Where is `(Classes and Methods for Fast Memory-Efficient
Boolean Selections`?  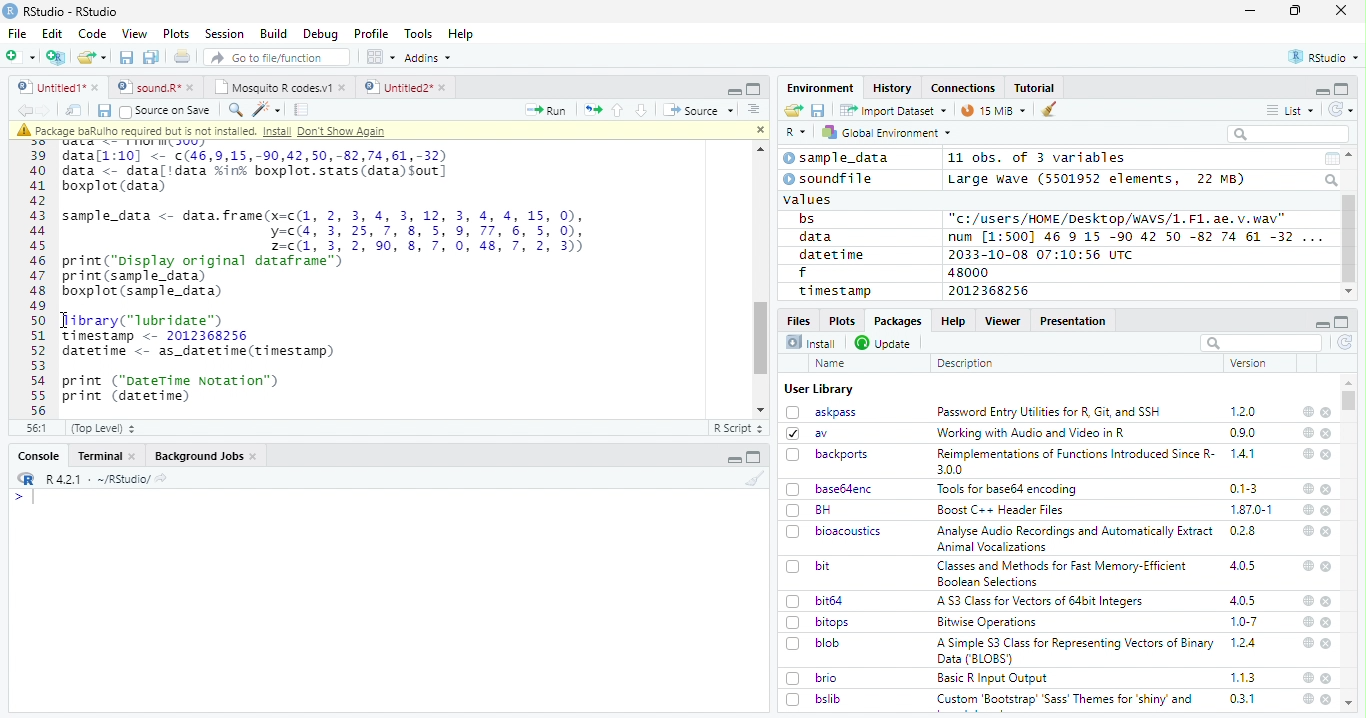 (Classes and Methods for Fast Memory-Efficient
Boolean Selections is located at coordinates (1064, 573).